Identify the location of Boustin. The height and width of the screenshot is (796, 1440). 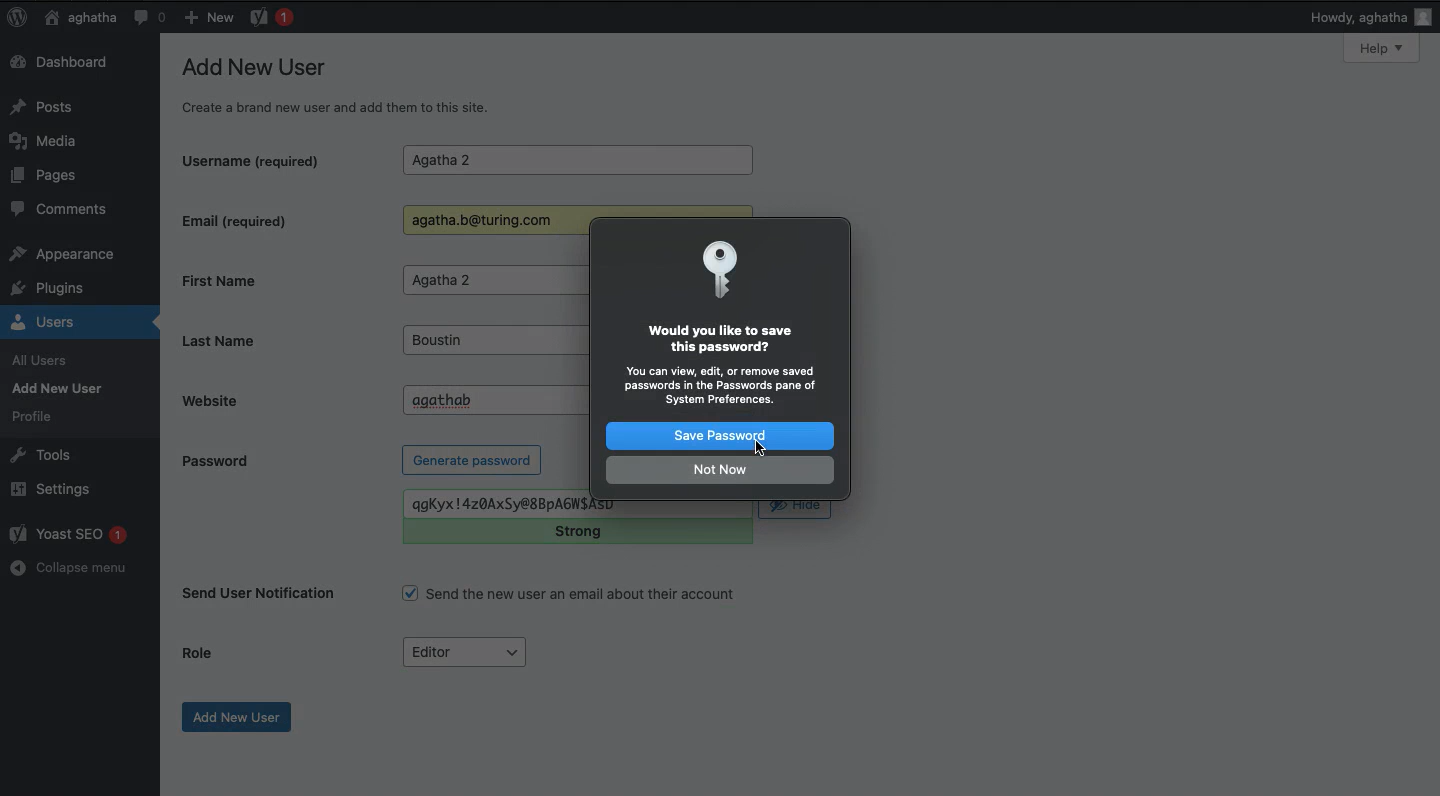
(471, 341).